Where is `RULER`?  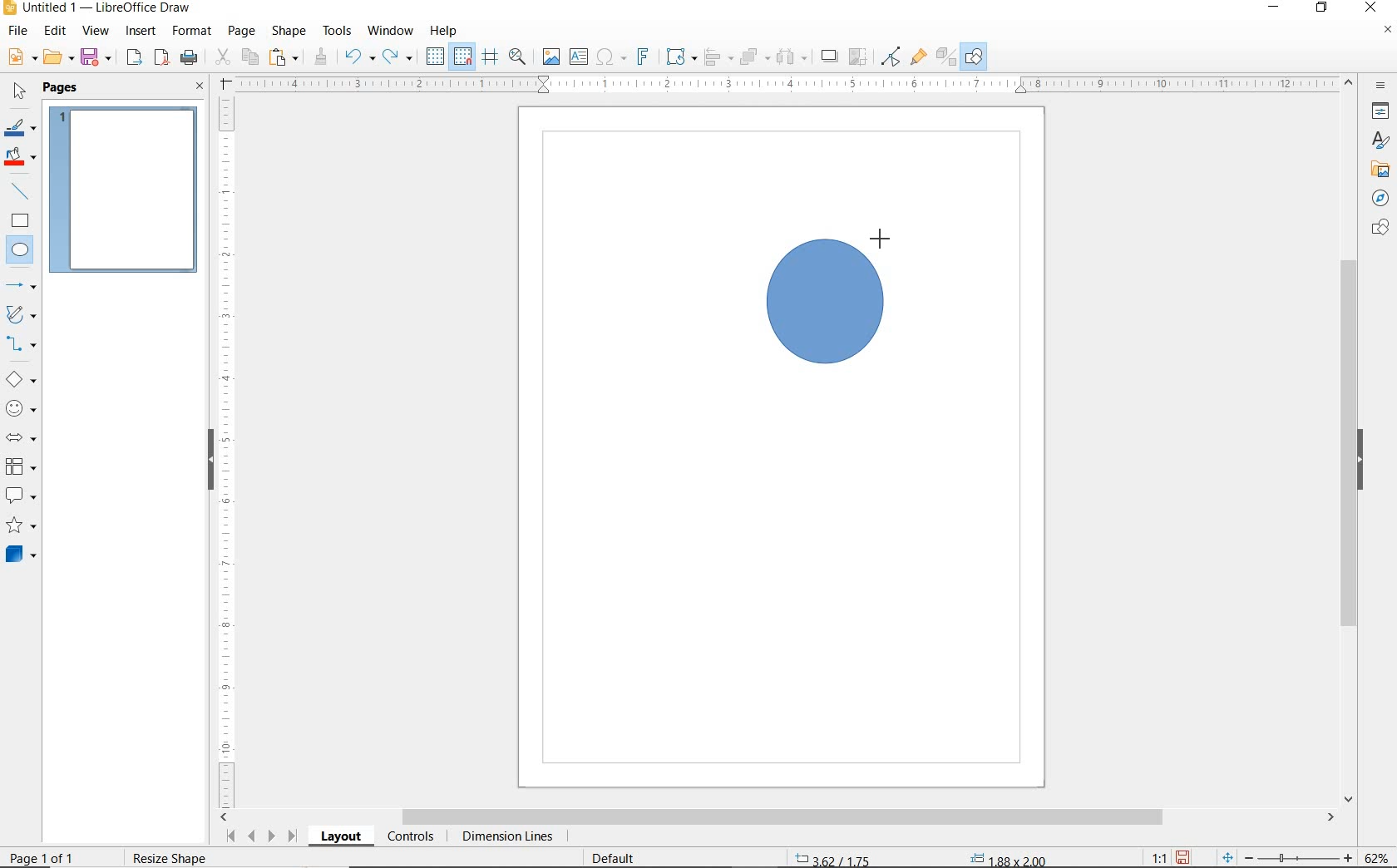
RULER is located at coordinates (228, 450).